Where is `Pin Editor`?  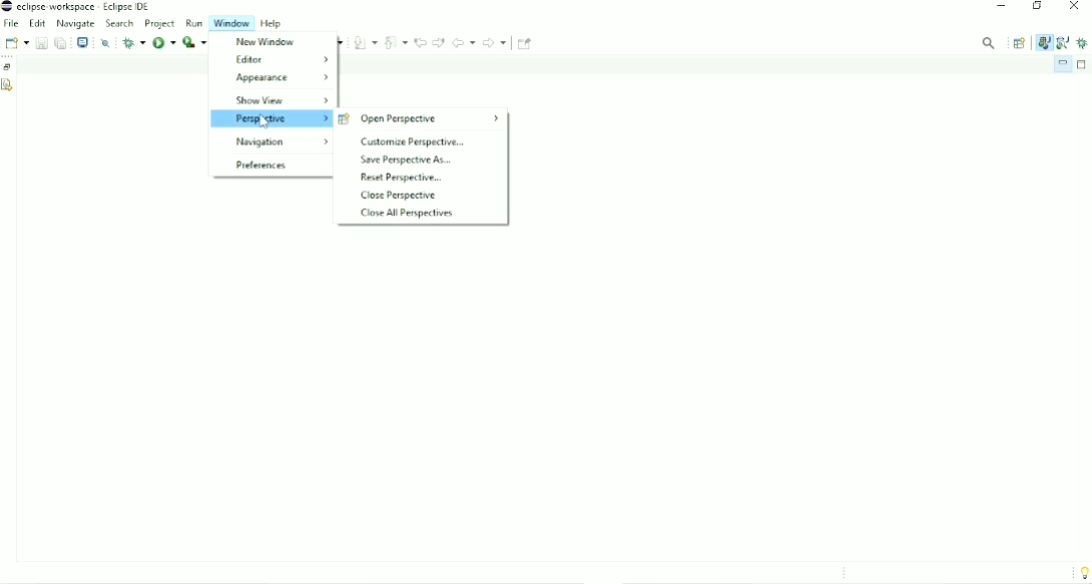 Pin Editor is located at coordinates (525, 43).